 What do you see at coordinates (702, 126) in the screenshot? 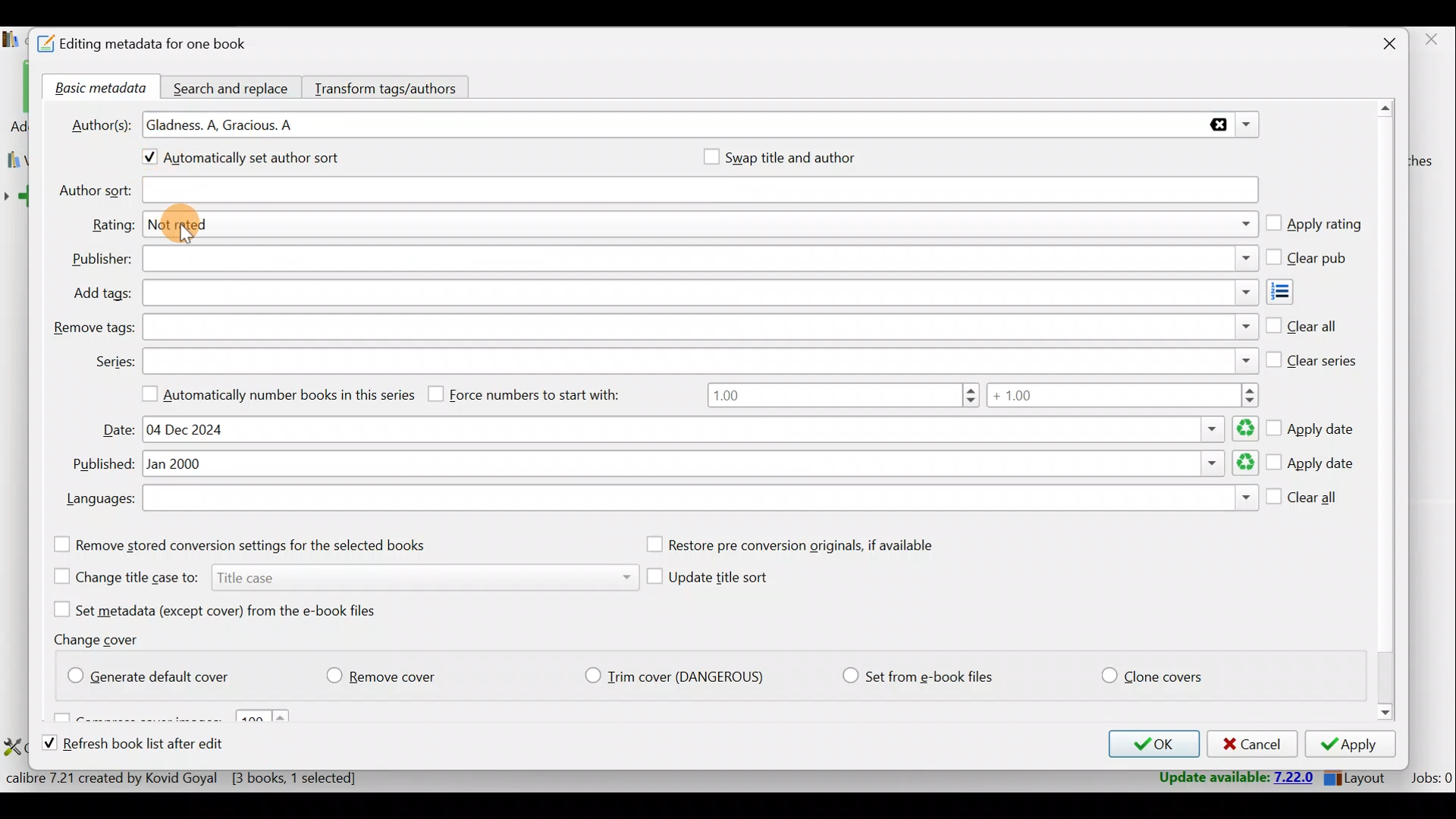
I see `Authors` at bounding box center [702, 126].